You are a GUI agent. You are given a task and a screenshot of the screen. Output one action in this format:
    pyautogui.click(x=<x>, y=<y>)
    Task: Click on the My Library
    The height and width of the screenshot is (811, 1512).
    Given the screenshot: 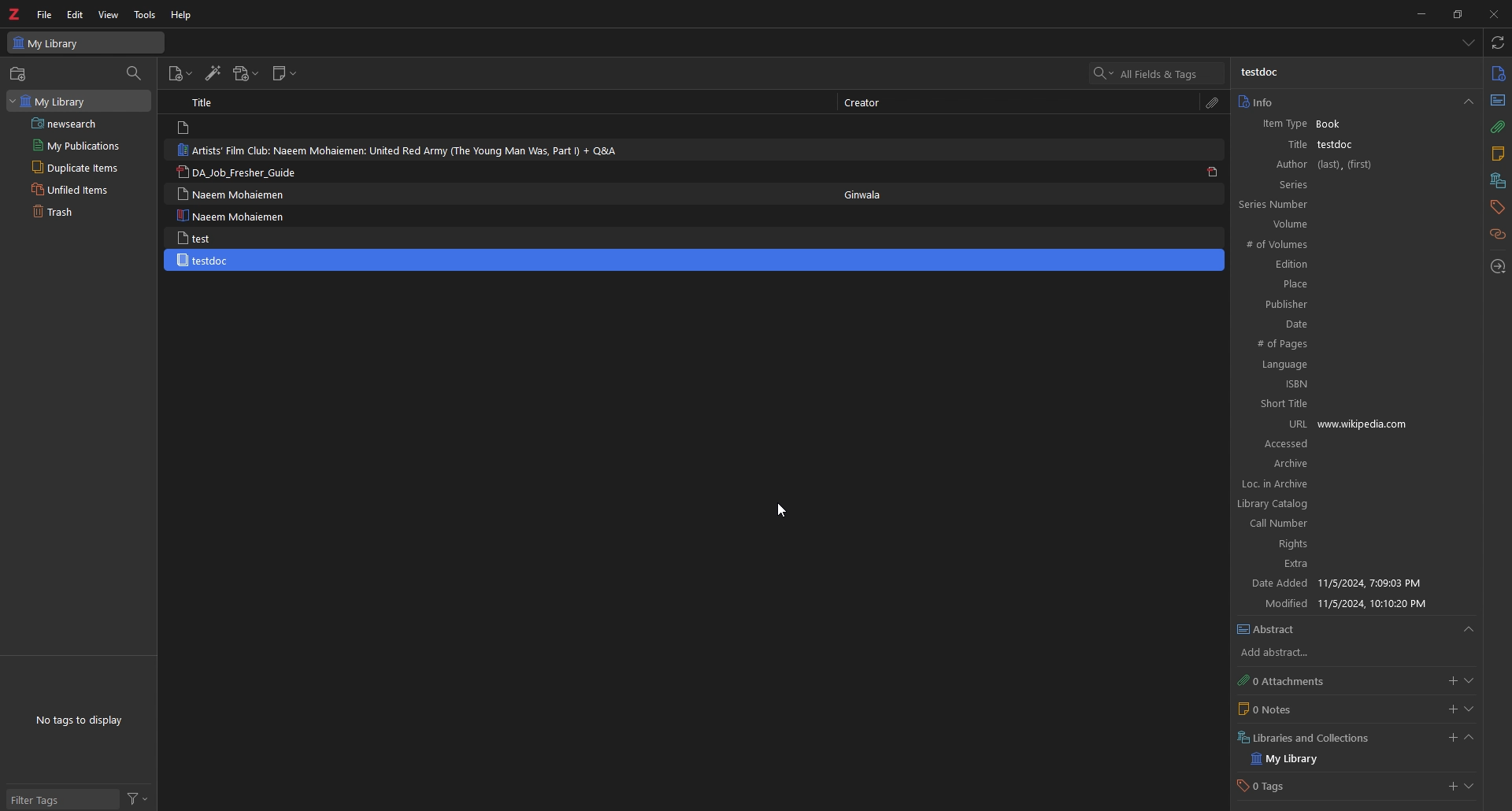 What is the action you would take?
    pyautogui.click(x=86, y=43)
    